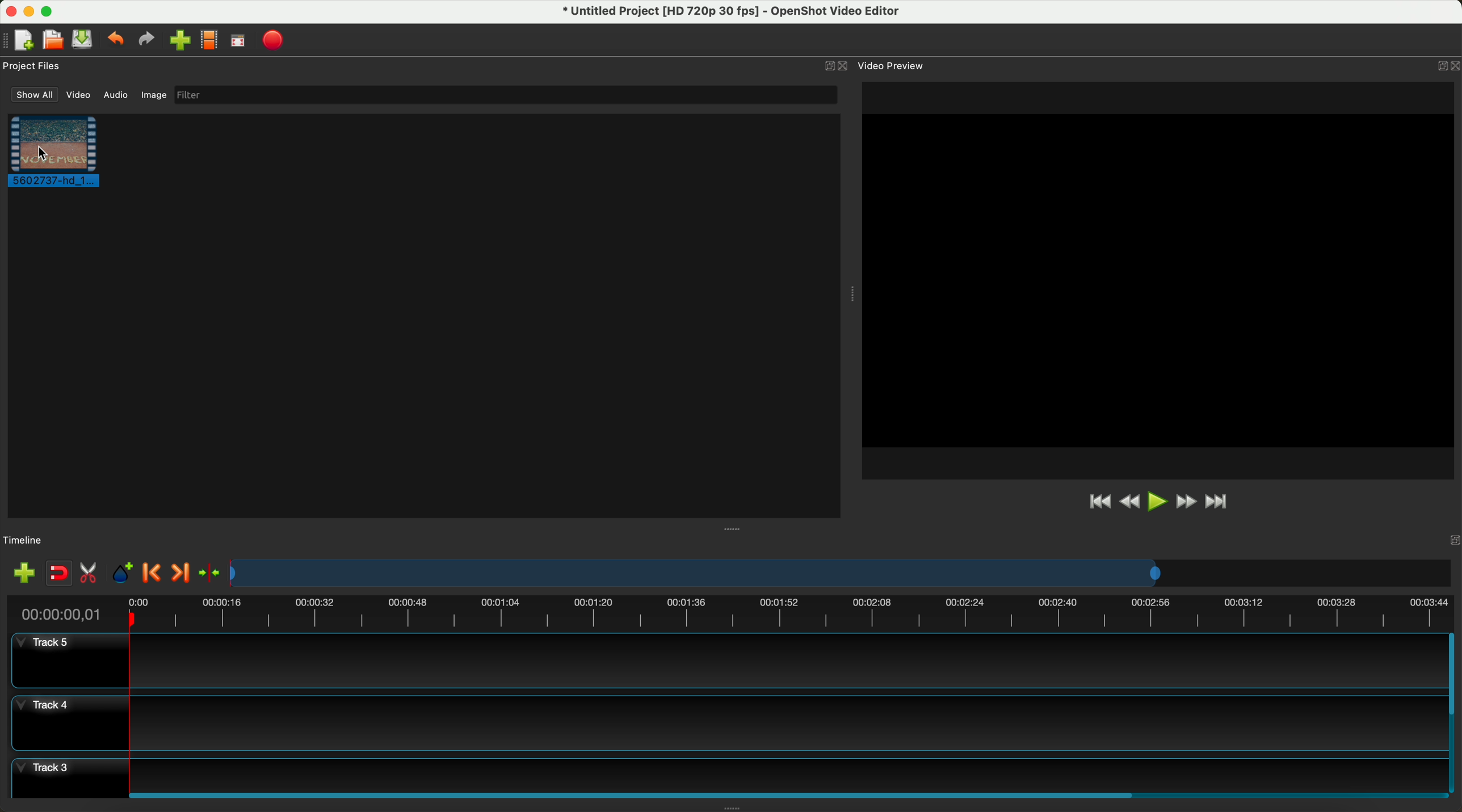  What do you see at coordinates (91, 574) in the screenshot?
I see `enable razor` at bounding box center [91, 574].